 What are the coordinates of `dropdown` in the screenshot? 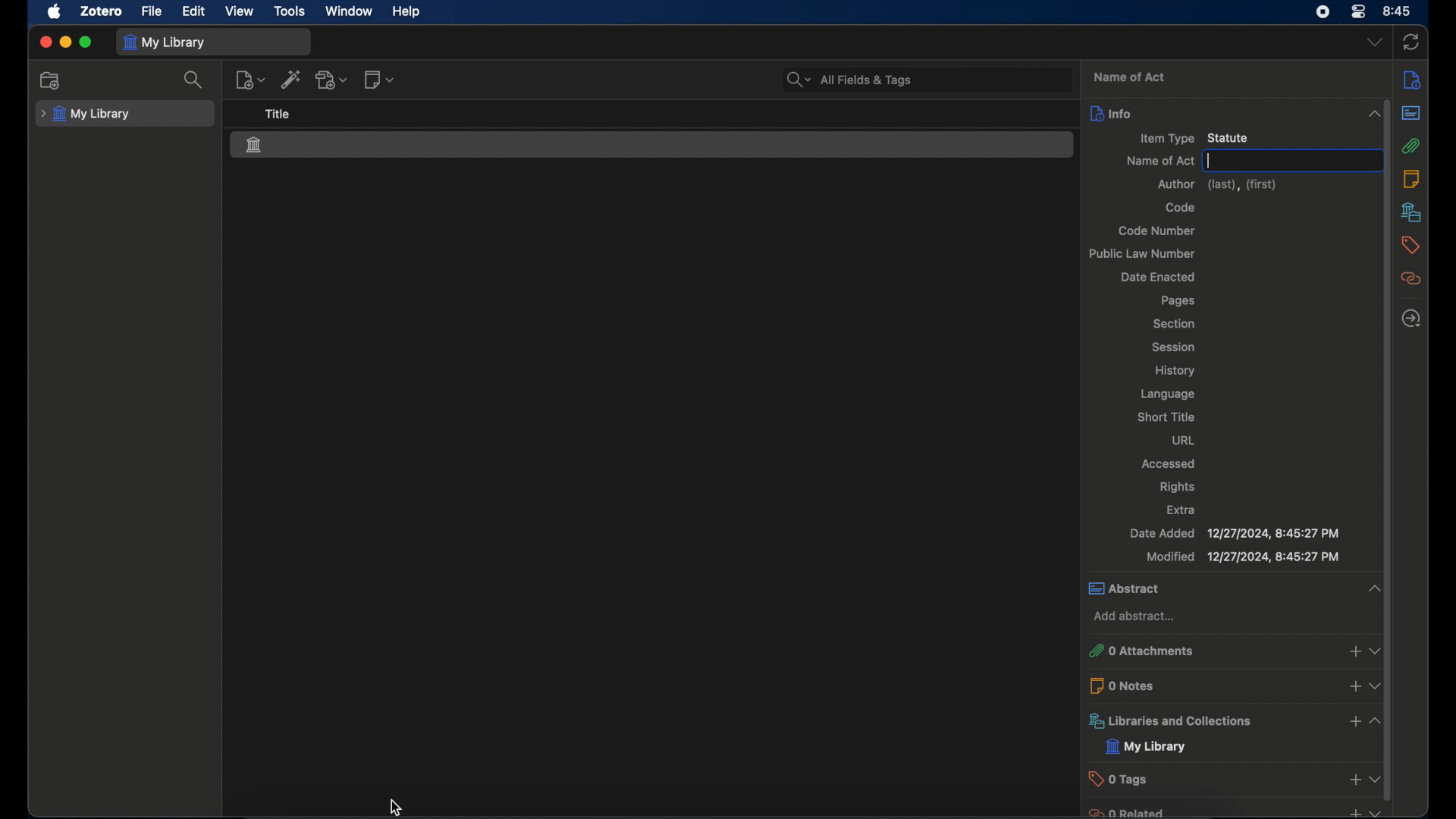 It's located at (1373, 779).